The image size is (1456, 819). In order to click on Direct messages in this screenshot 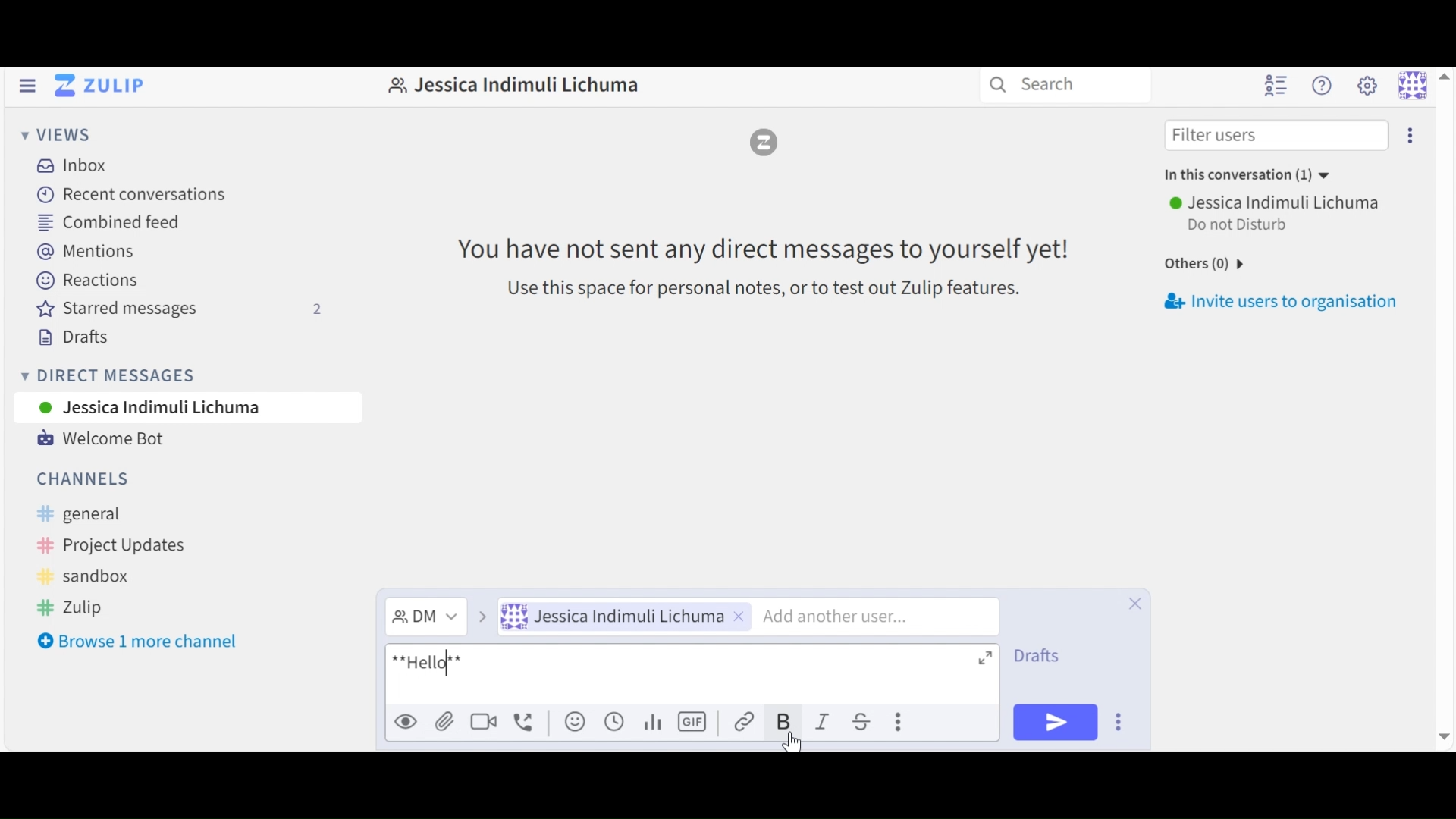, I will do `click(110, 378)`.